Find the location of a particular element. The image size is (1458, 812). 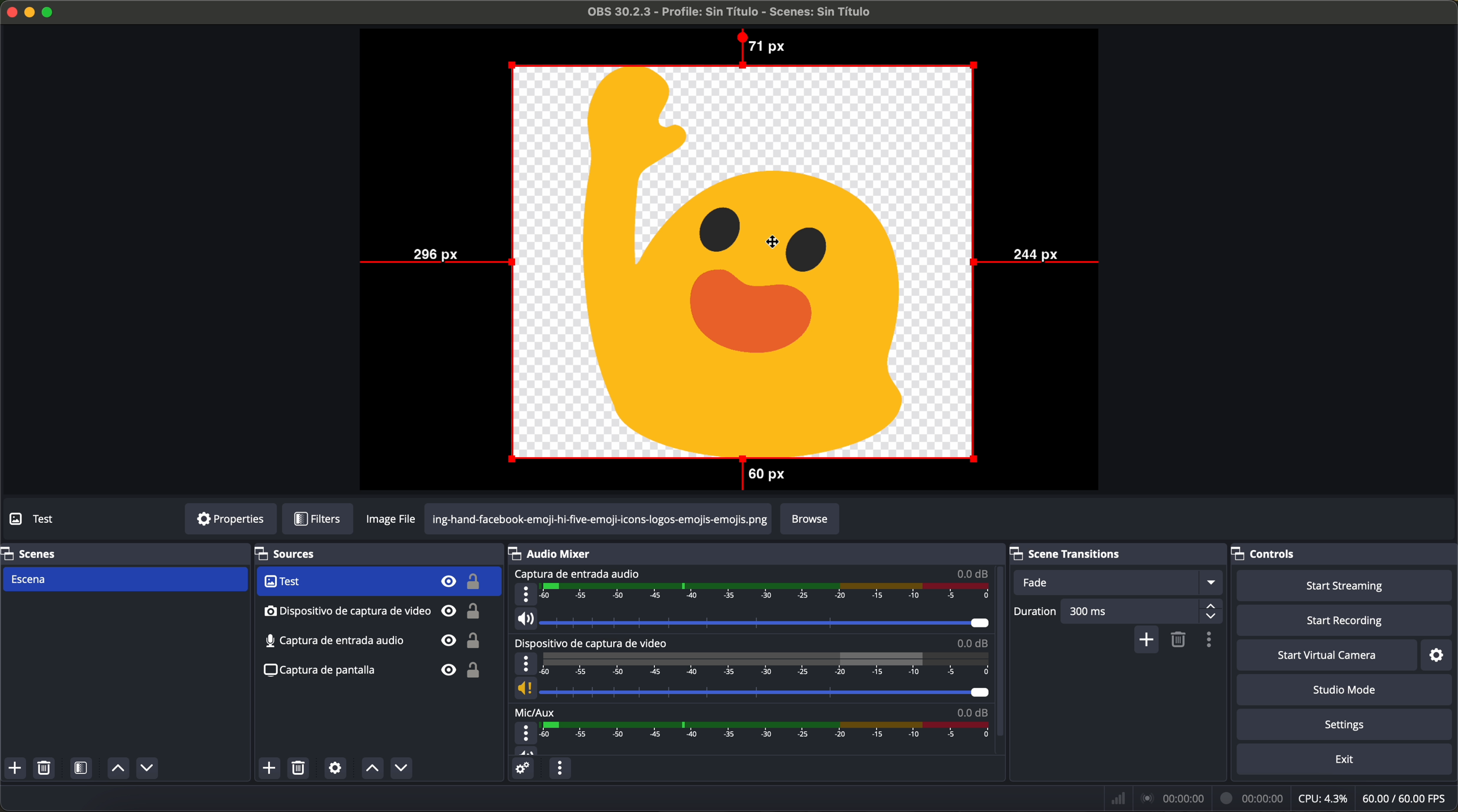

click on add source is located at coordinates (272, 769).